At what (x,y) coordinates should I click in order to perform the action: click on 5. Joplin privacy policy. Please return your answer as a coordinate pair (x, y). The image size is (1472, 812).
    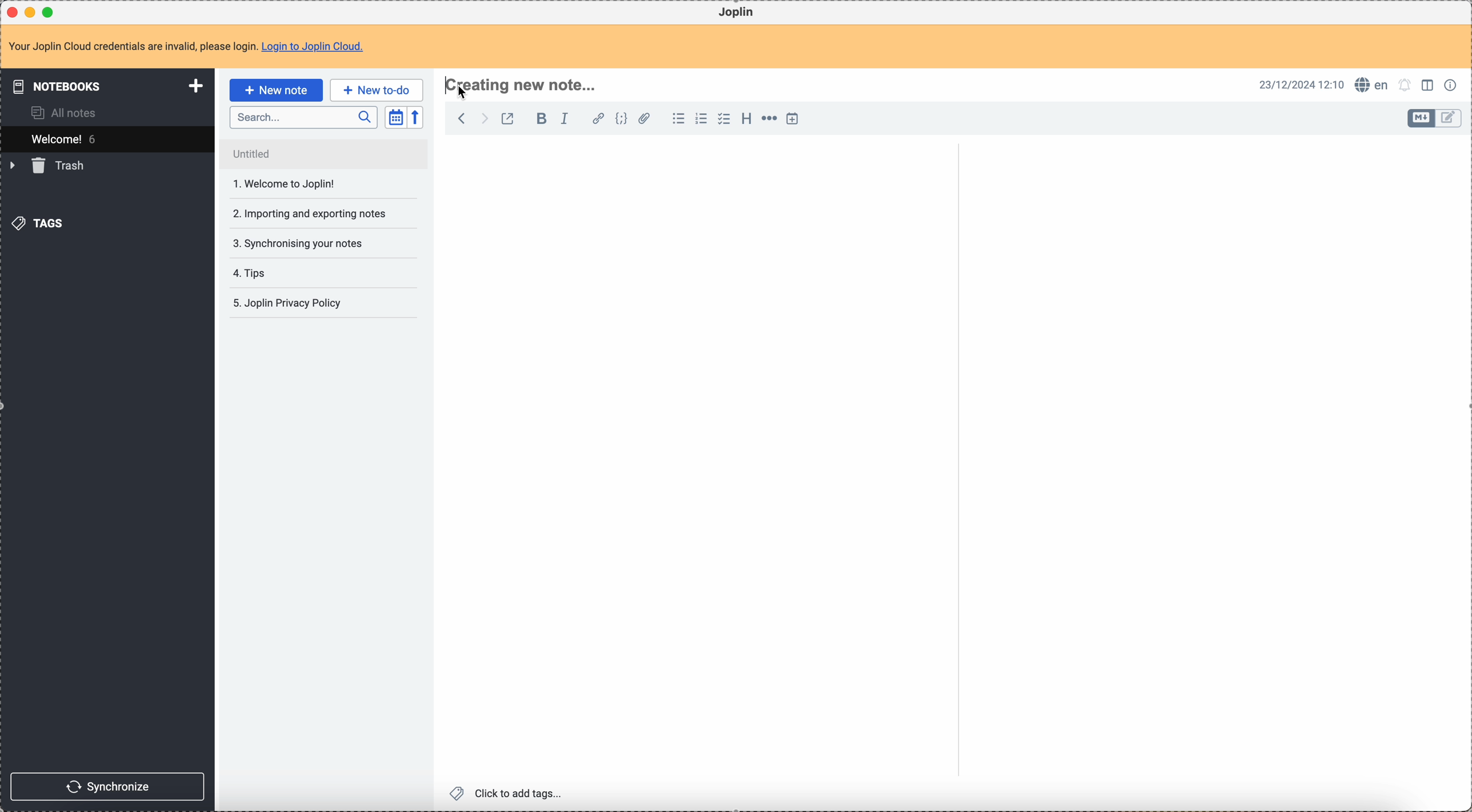
    Looking at the image, I should click on (289, 304).